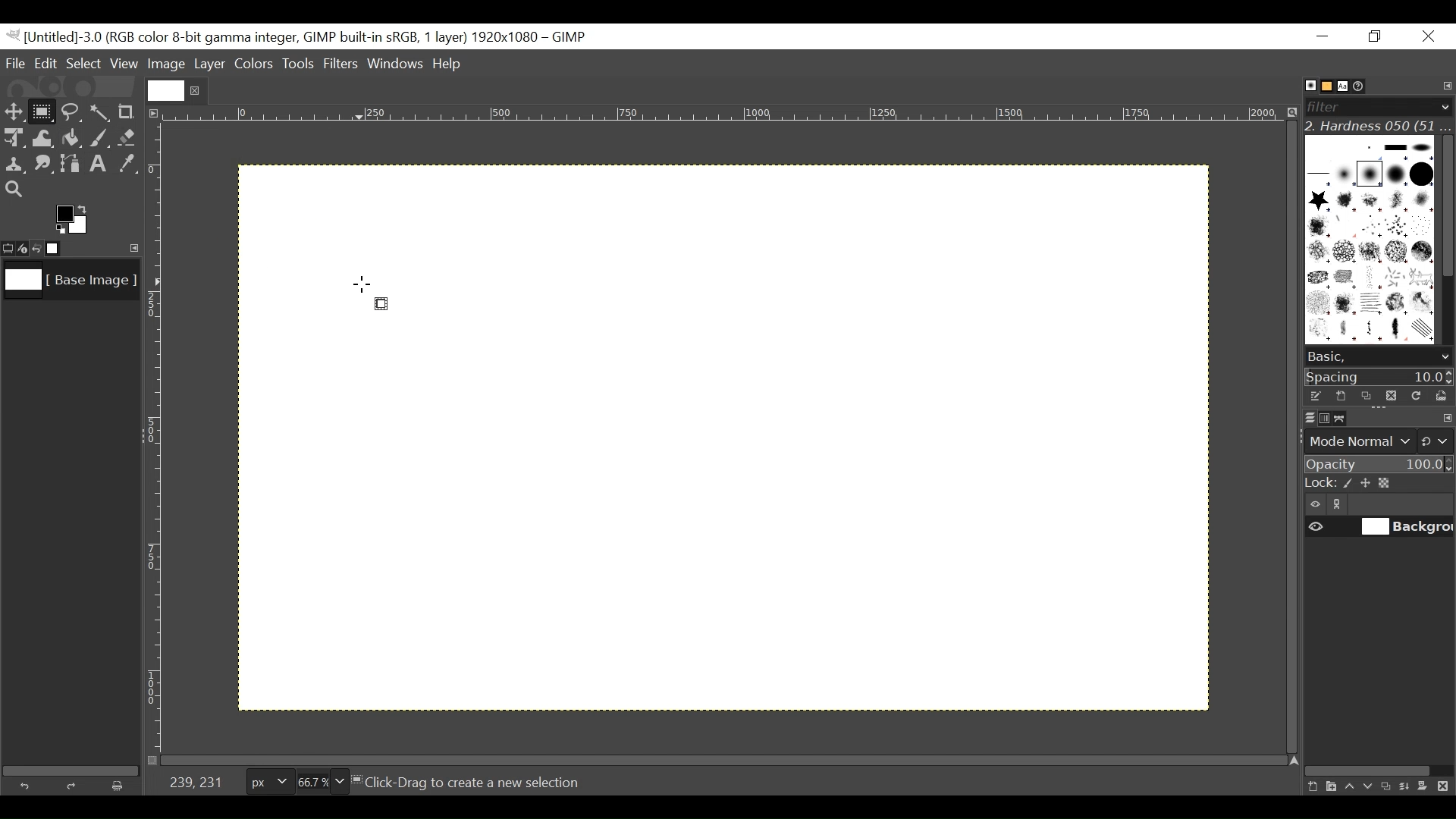 This screenshot has width=1456, height=819. What do you see at coordinates (1379, 376) in the screenshot?
I see `Spacing` at bounding box center [1379, 376].